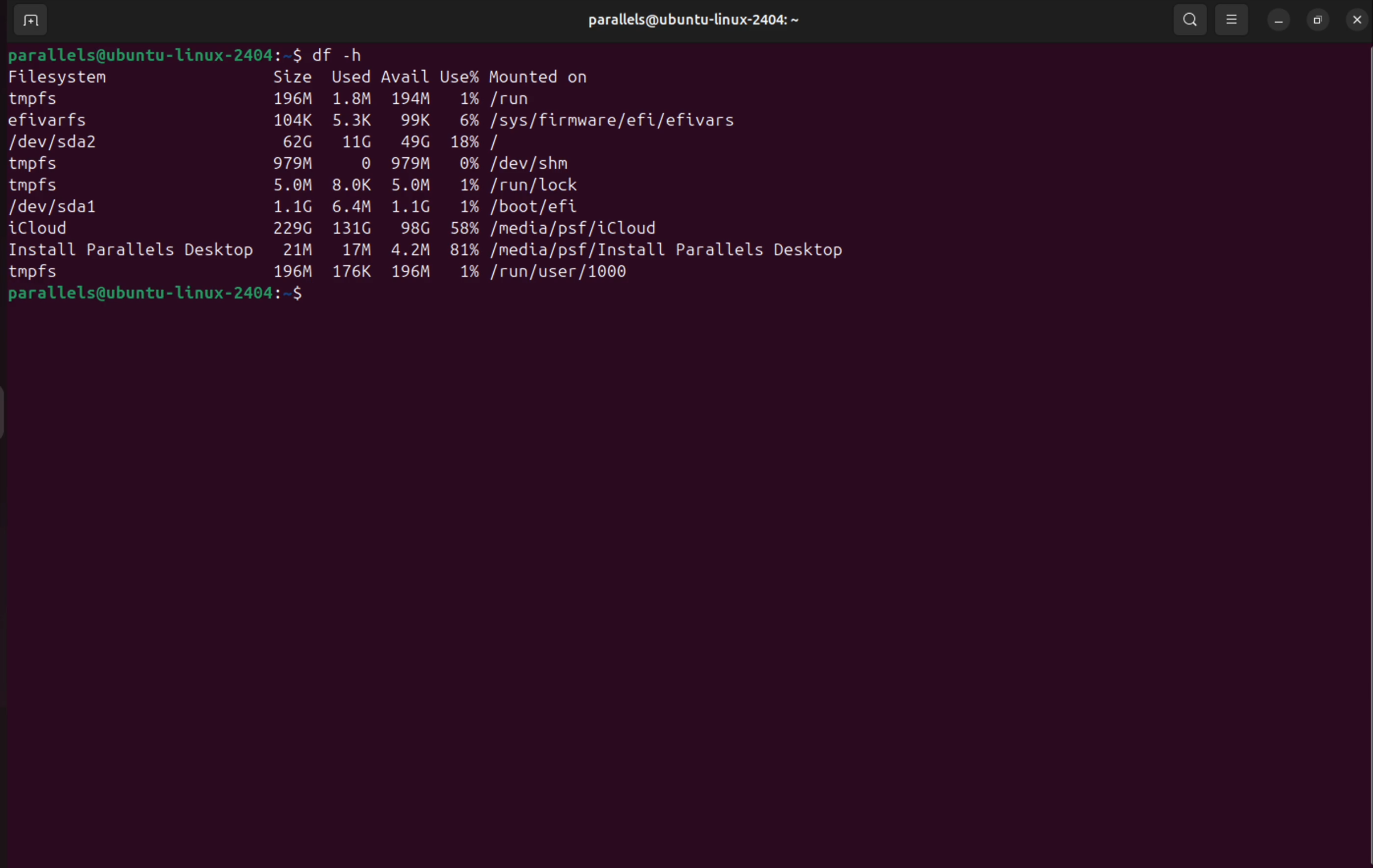 This screenshot has width=1373, height=868. Describe the element at coordinates (458, 75) in the screenshot. I see `use%` at that location.